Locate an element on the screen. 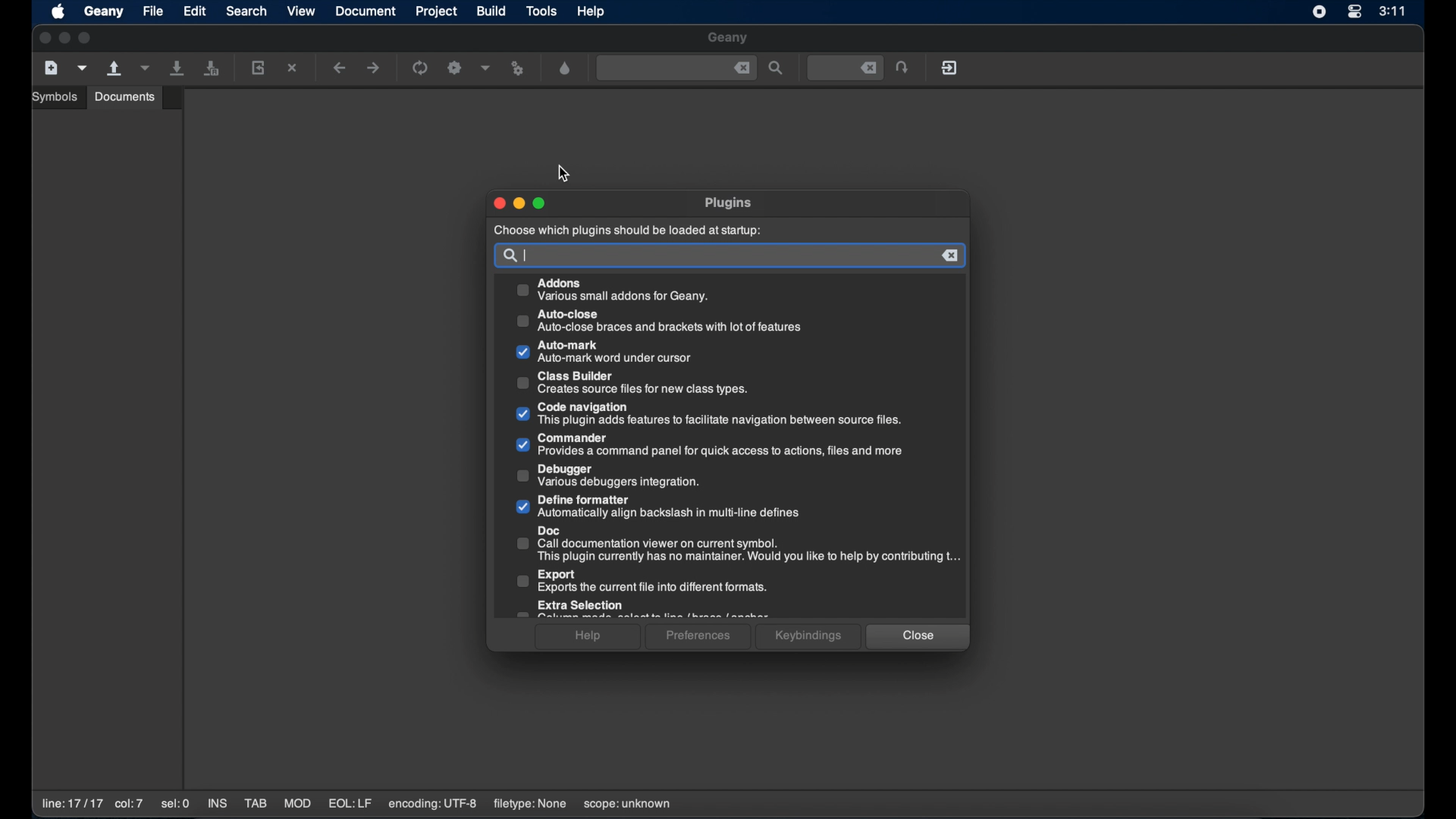 This screenshot has width=1456, height=819. file is located at coordinates (154, 11).